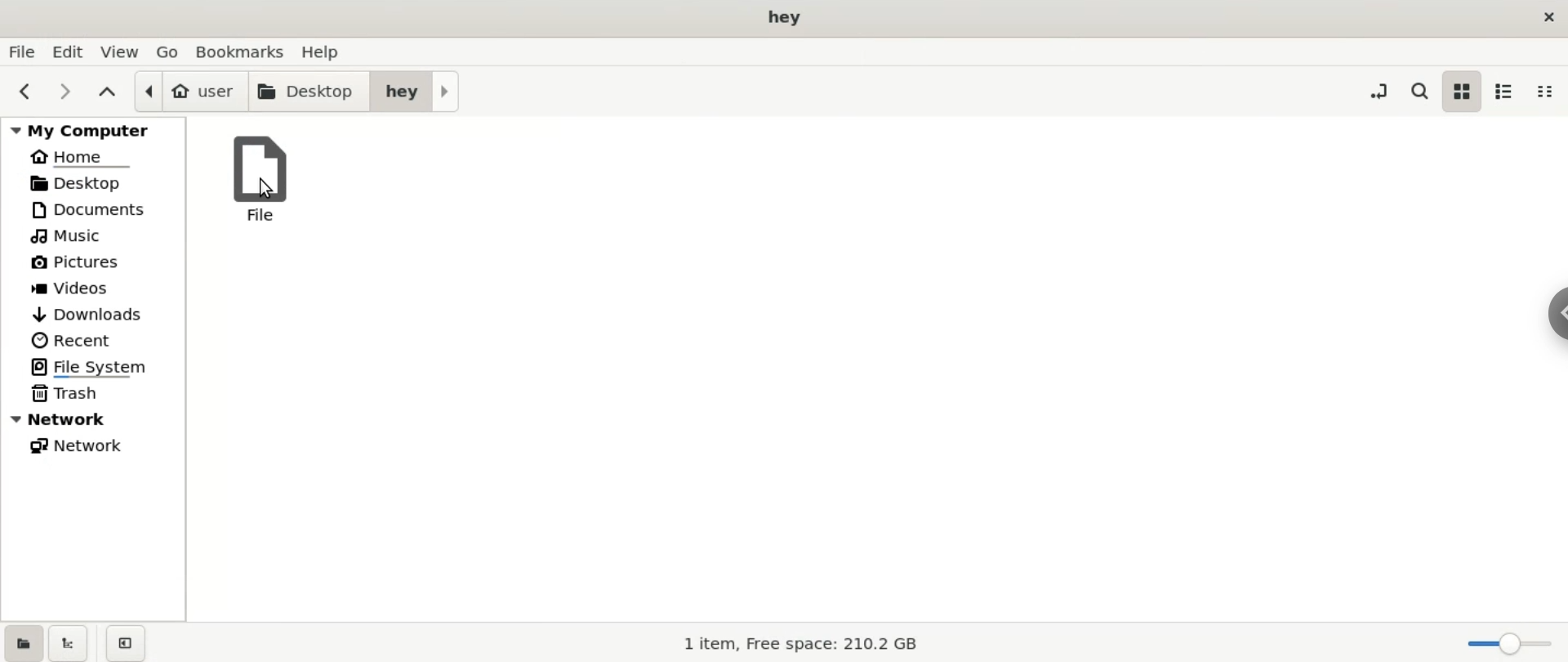 This screenshot has height=662, width=1568. Describe the element at coordinates (791, 17) in the screenshot. I see `desktop` at that location.